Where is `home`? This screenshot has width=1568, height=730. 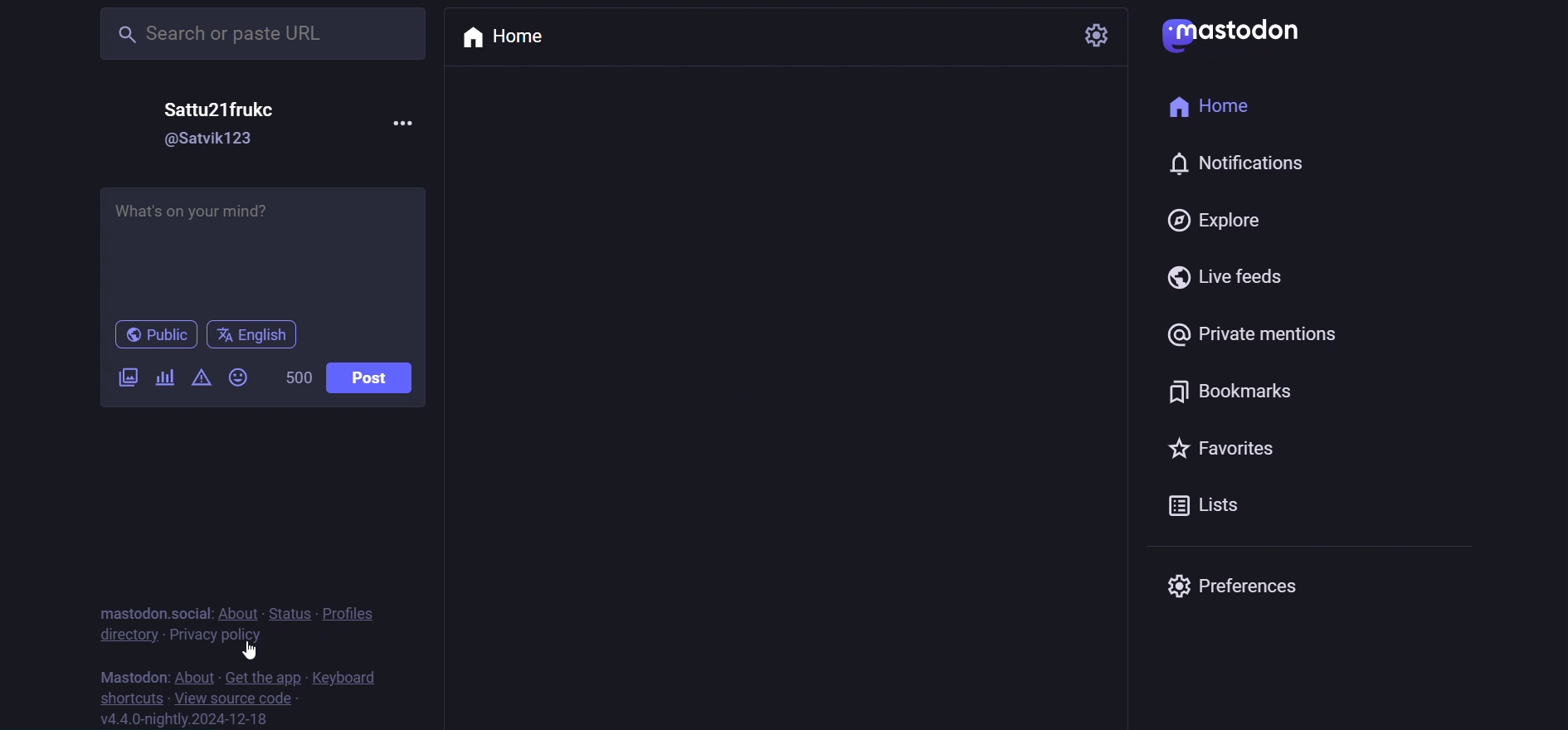 home is located at coordinates (507, 43).